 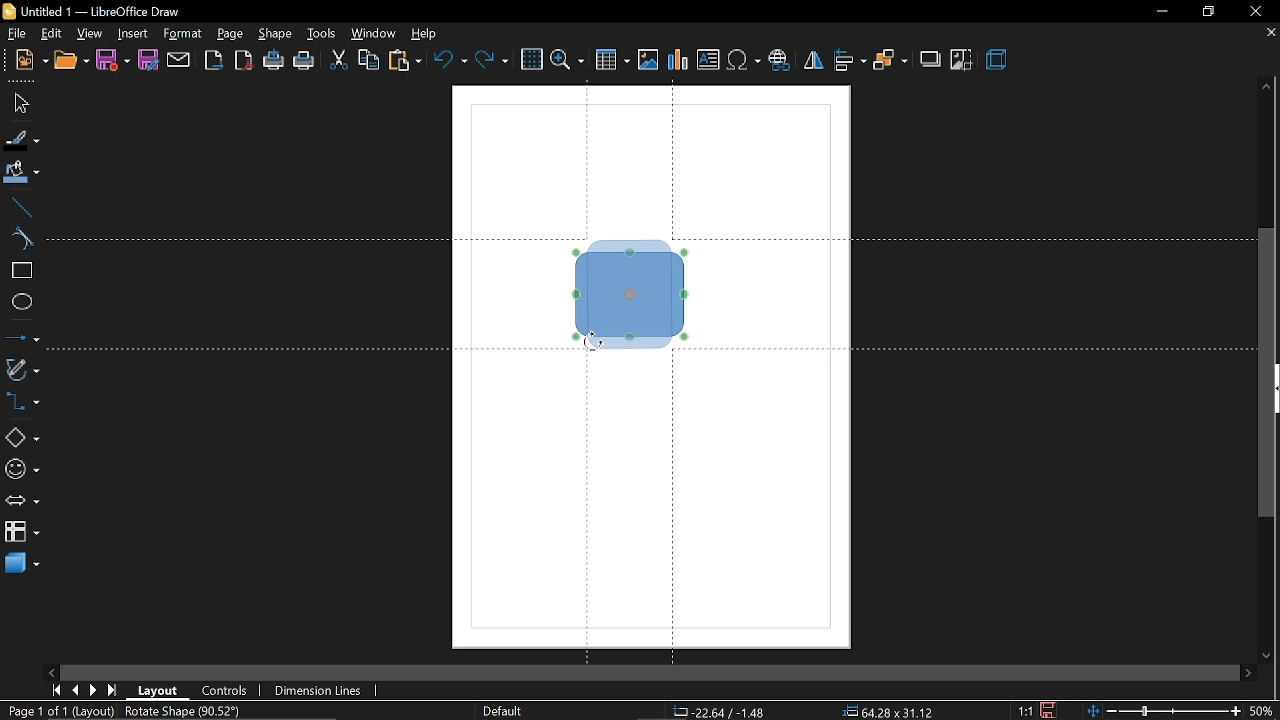 What do you see at coordinates (1246, 673) in the screenshot?
I see `move right` at bounding box center [1246, 673].